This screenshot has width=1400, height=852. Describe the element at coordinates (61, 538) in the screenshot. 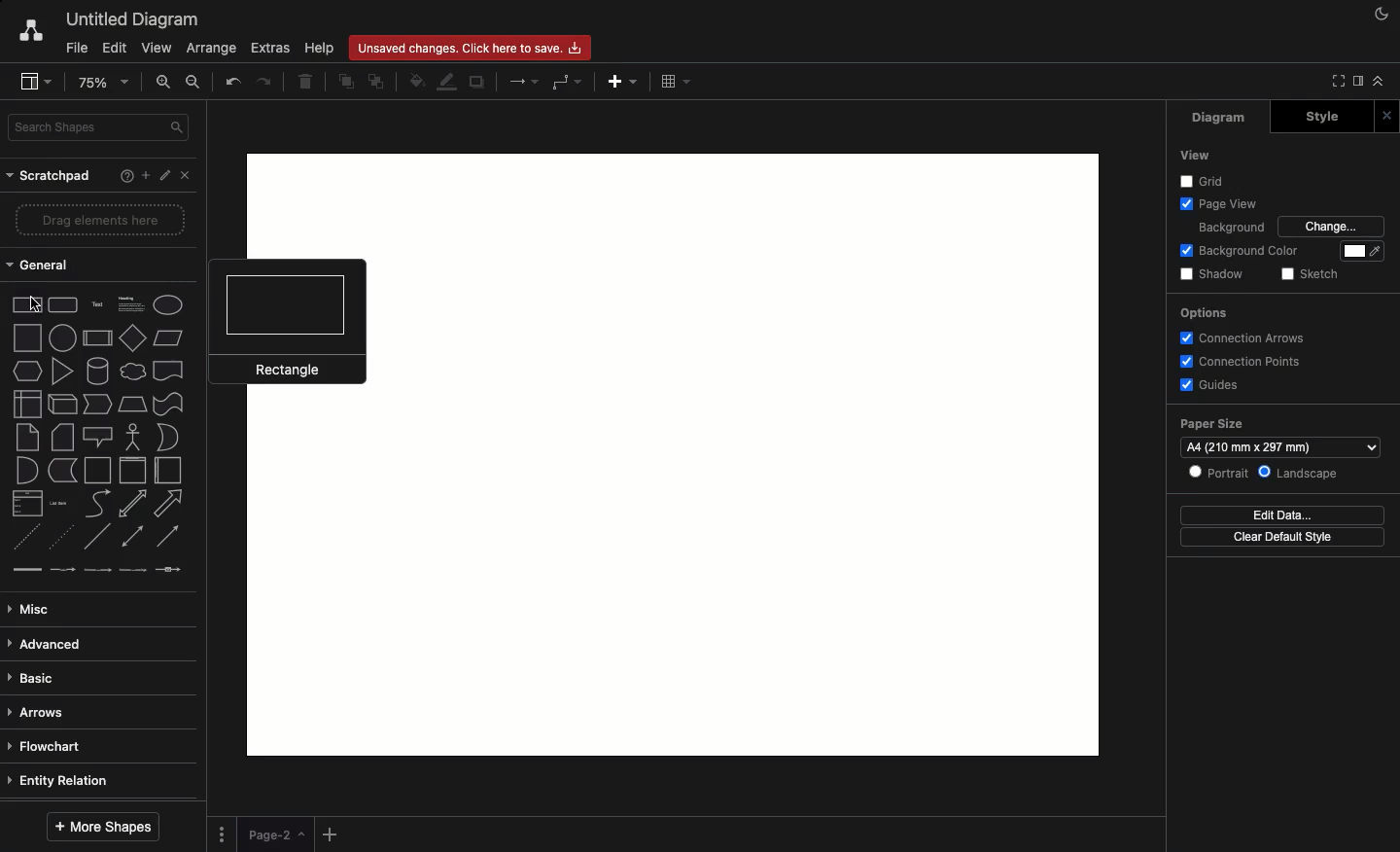

I see `dotted line` at that location.